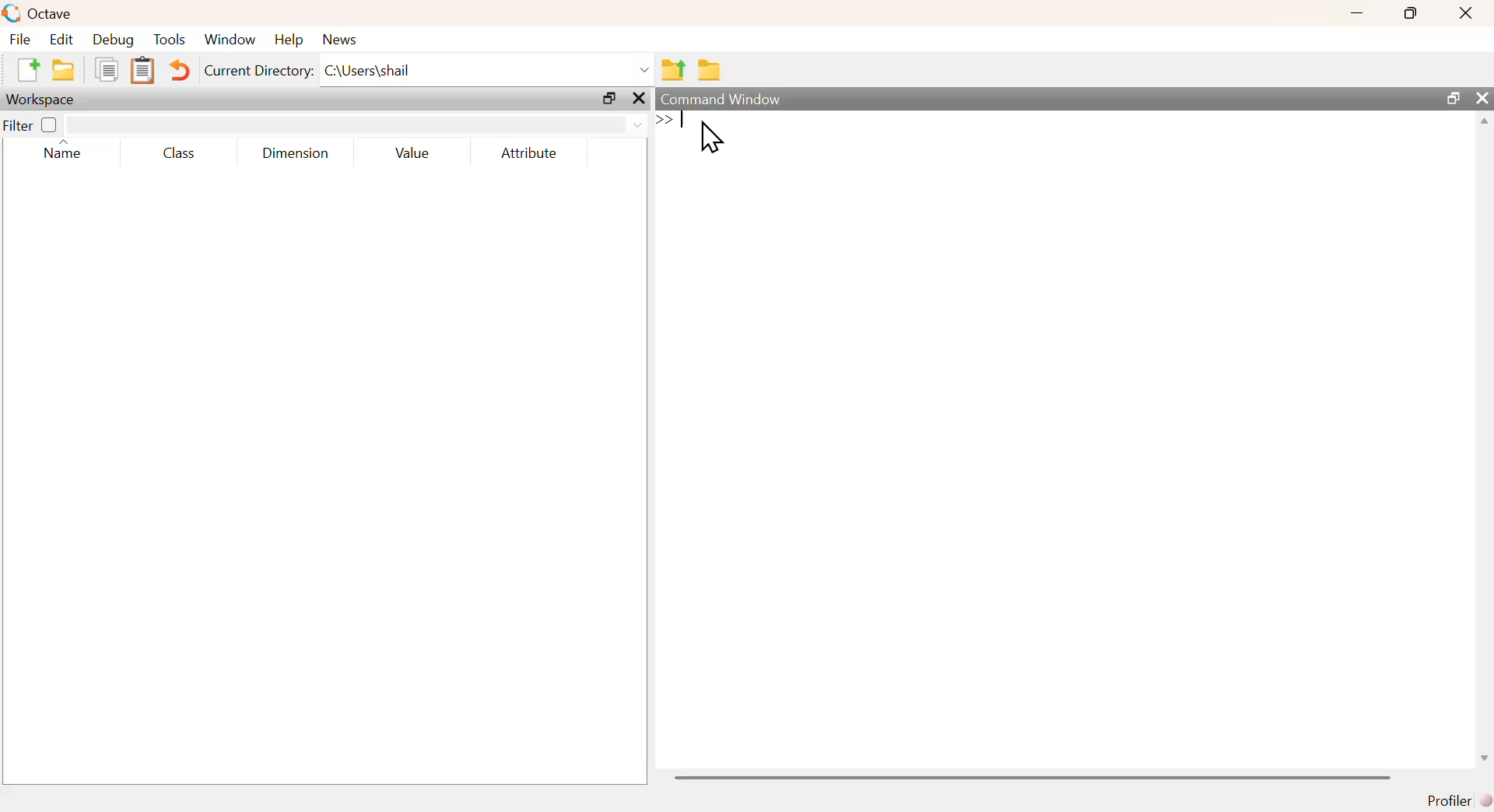  What do you see at coordinates (414, 154) in the screenshot?
I see `value` at bounding box center [414, 154].